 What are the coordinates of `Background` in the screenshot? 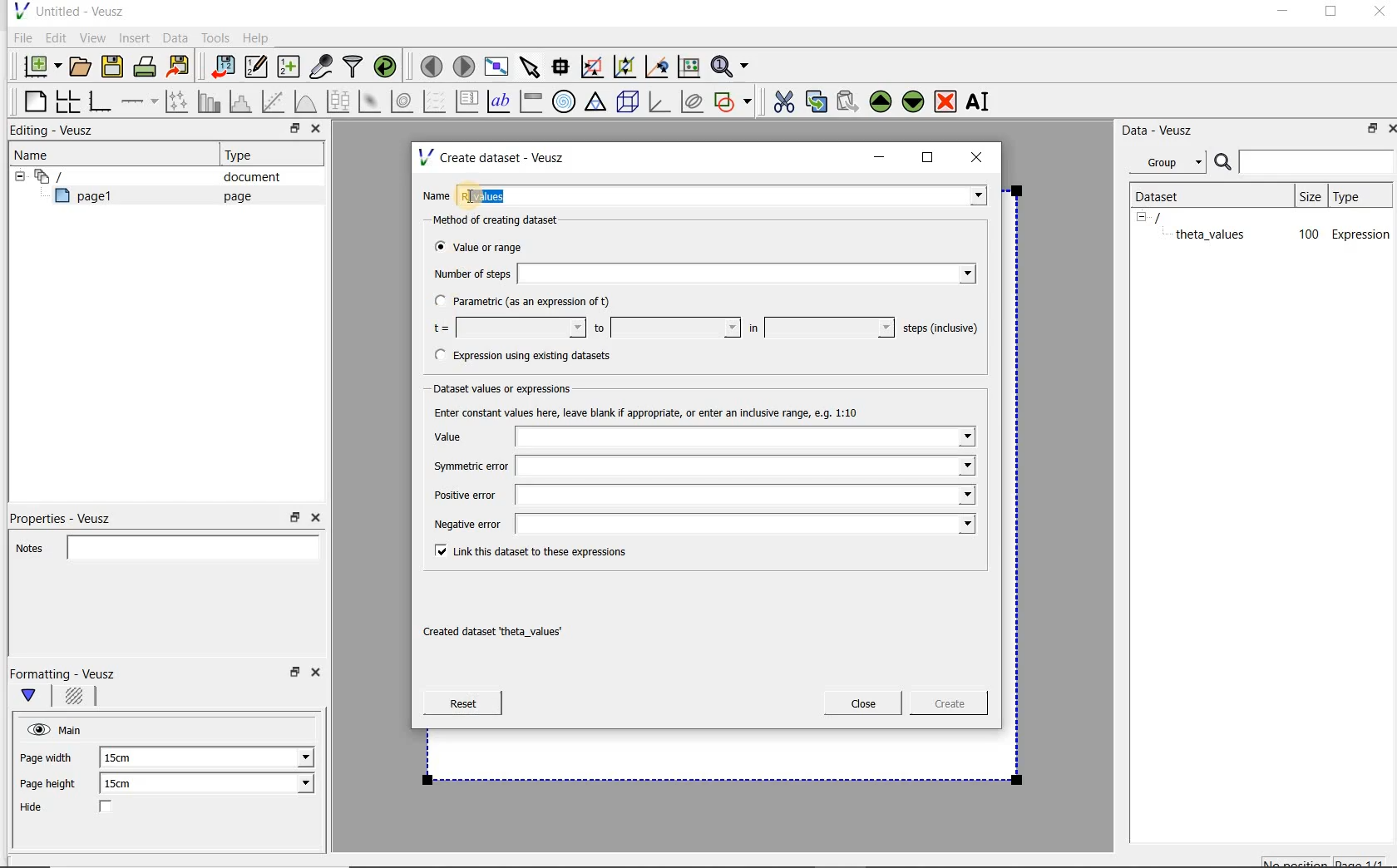 It's located at (77, 698).